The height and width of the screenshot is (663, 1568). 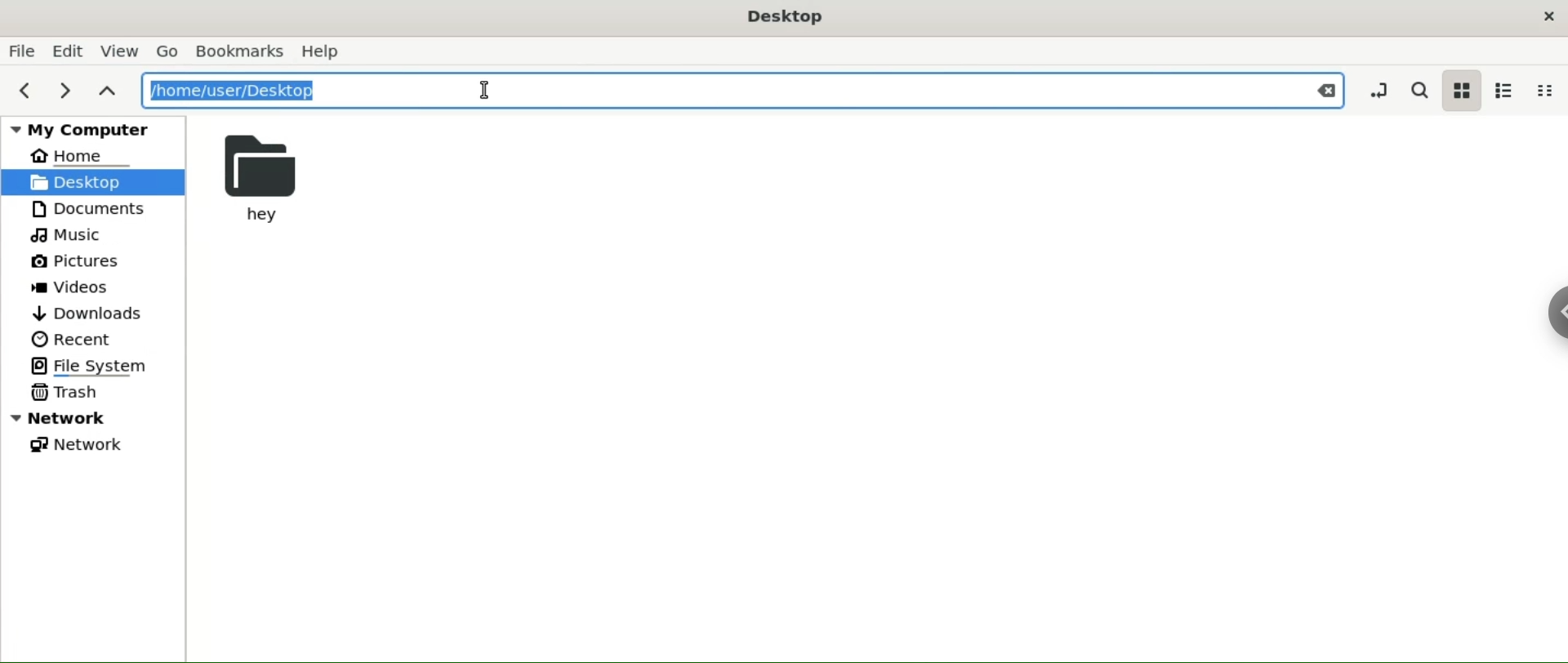 I want to click on cursor, so click(x=481, y=91).